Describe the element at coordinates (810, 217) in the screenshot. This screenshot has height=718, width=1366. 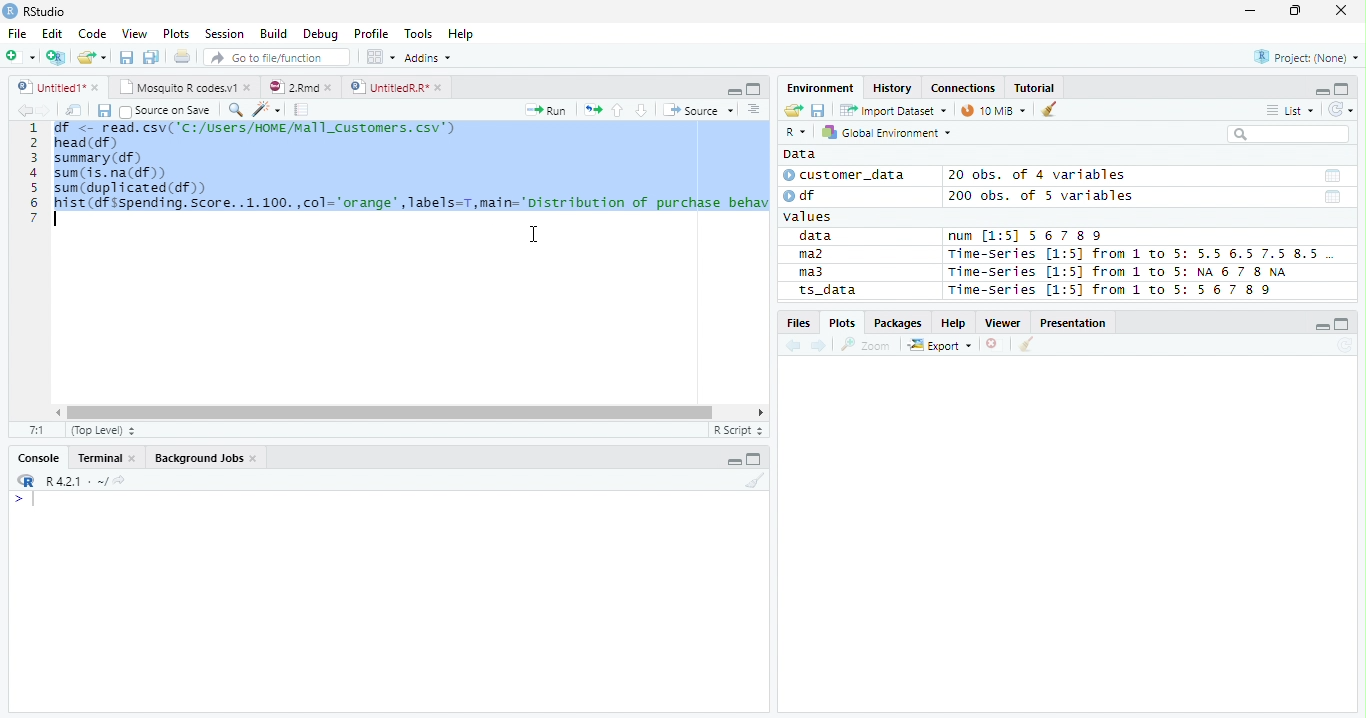
I see `values` at that location.